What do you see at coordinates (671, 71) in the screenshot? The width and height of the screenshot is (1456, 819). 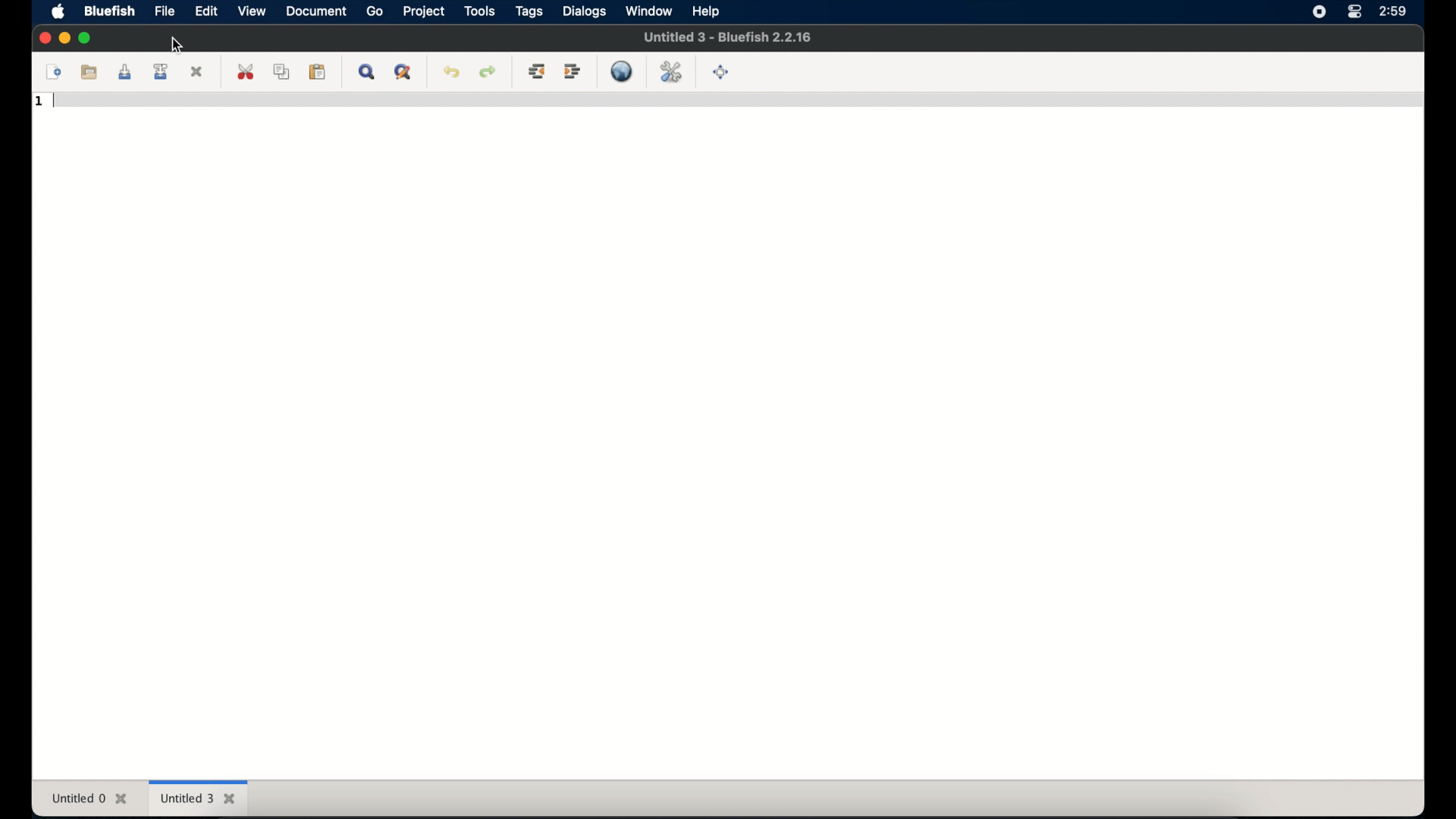 I see `edit in preferences` at bounding box center [671, 71].